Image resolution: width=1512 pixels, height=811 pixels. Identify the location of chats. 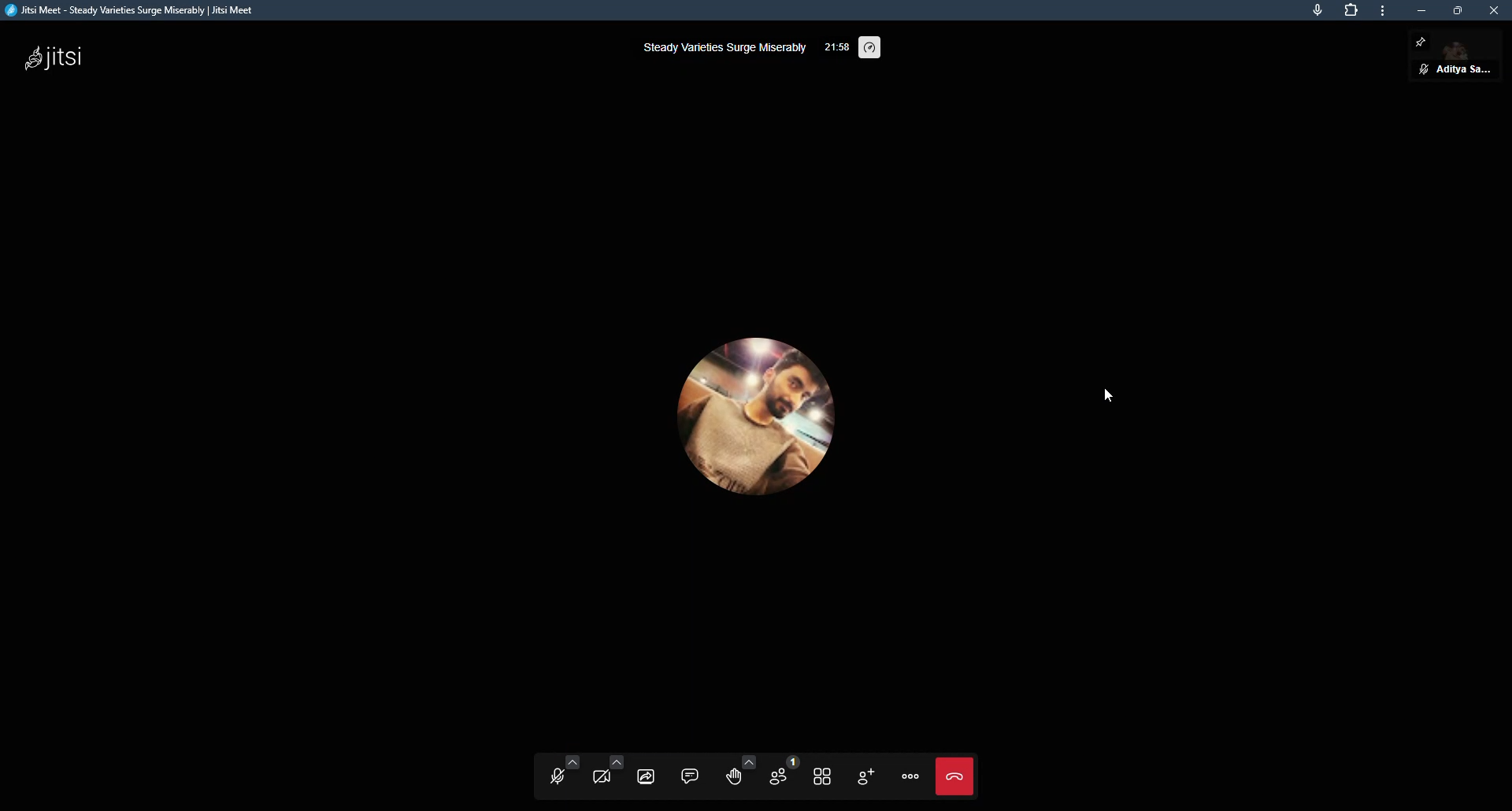
(691, 776).